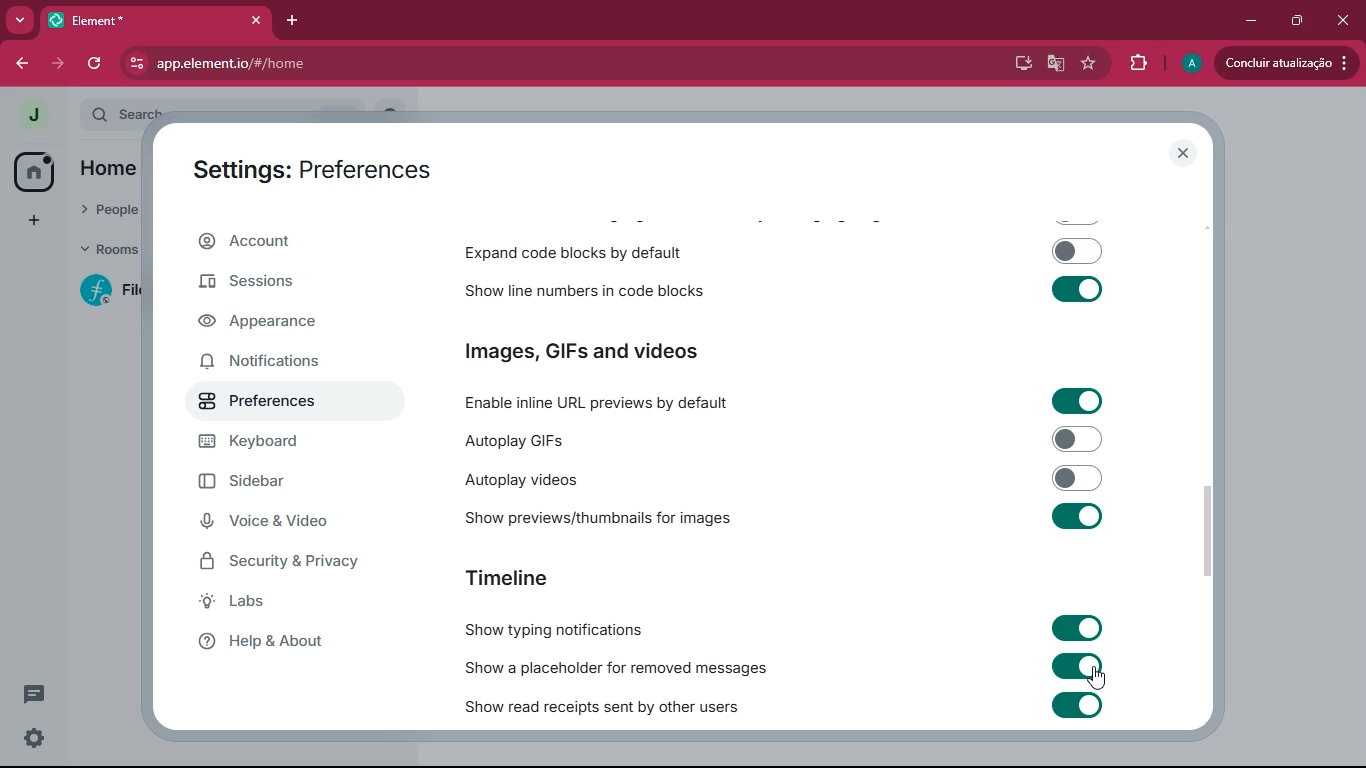  What do you see at coordinates (277, 523) in the screenshot?
I see `voice & video` at bounding box center [277, 523].